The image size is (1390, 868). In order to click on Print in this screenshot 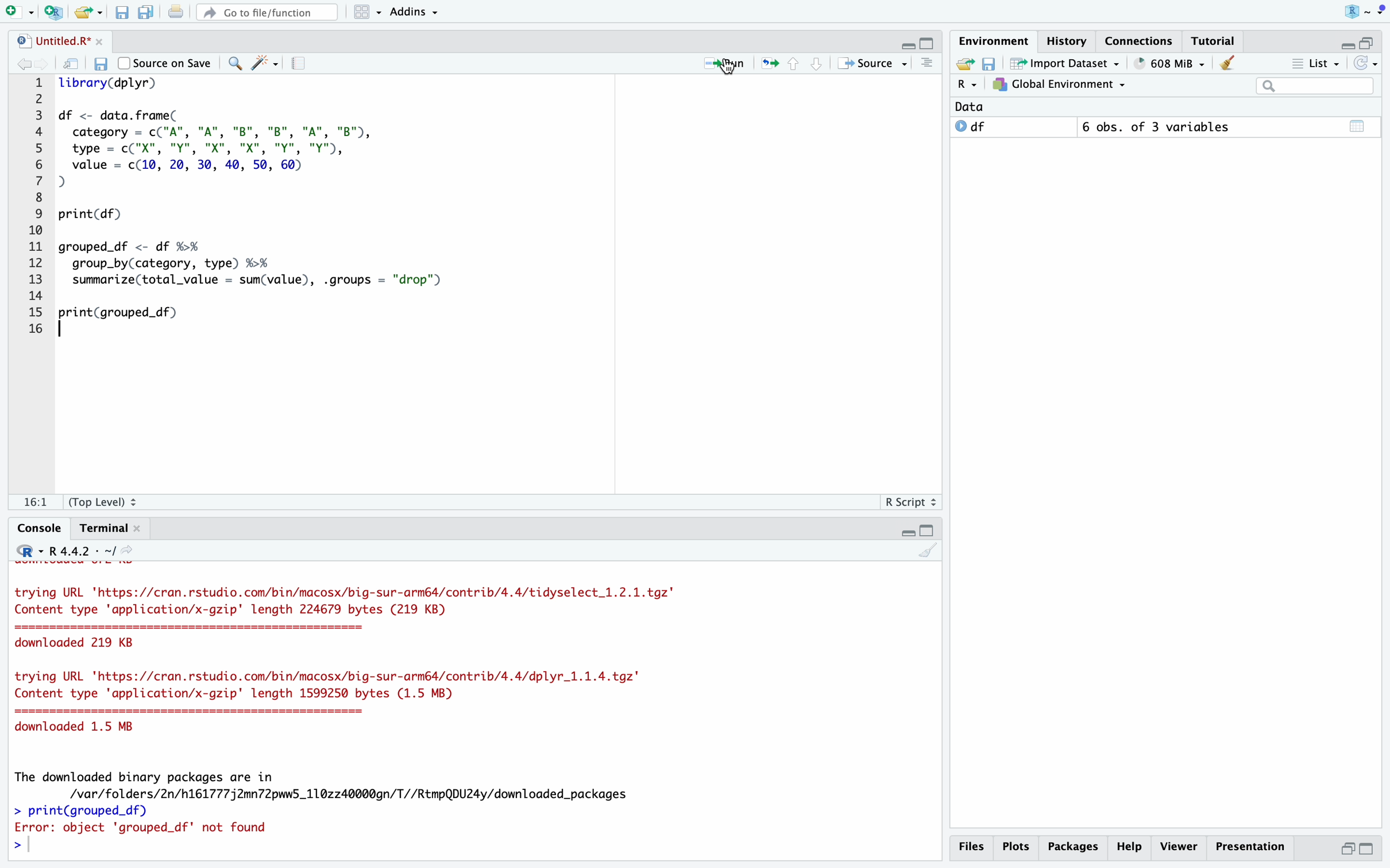, I will do `click(176, 11)`.